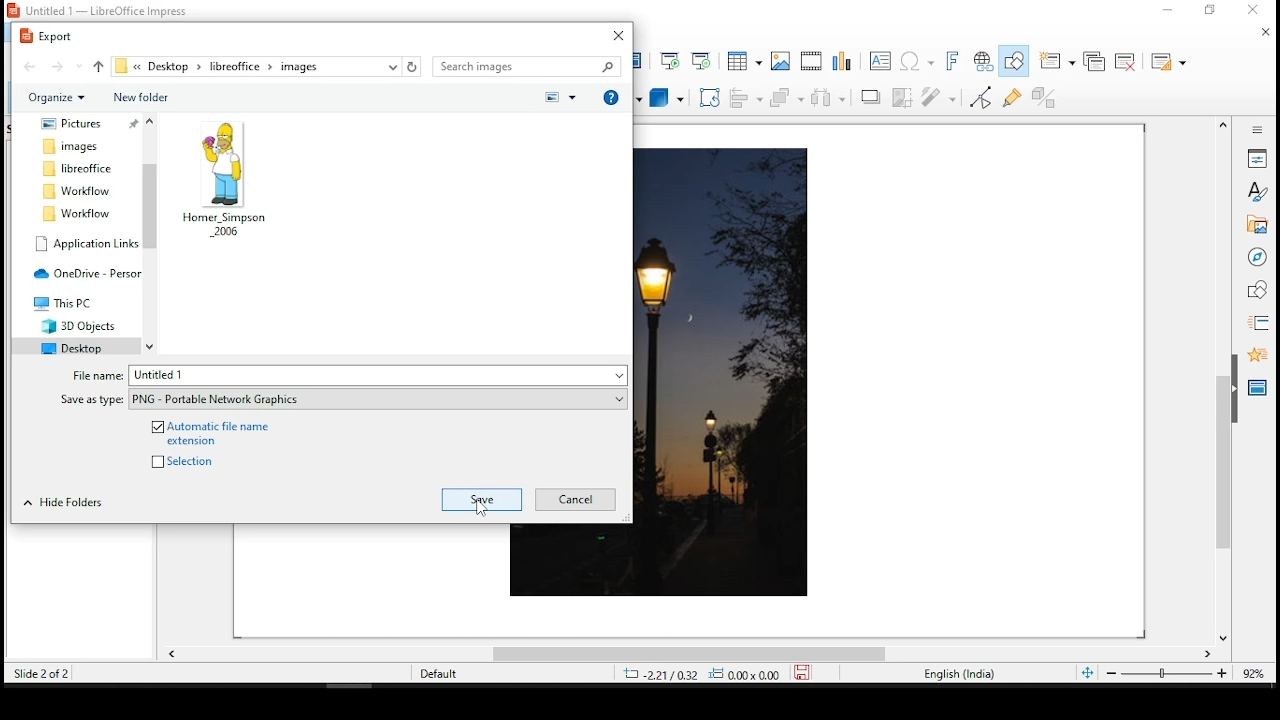 Image resolution: width=1280 pixels, height=720 pixels. What do you see at coordinates (482, 499) in the screenshot?
I see `save` at bounding box center [482, 499].